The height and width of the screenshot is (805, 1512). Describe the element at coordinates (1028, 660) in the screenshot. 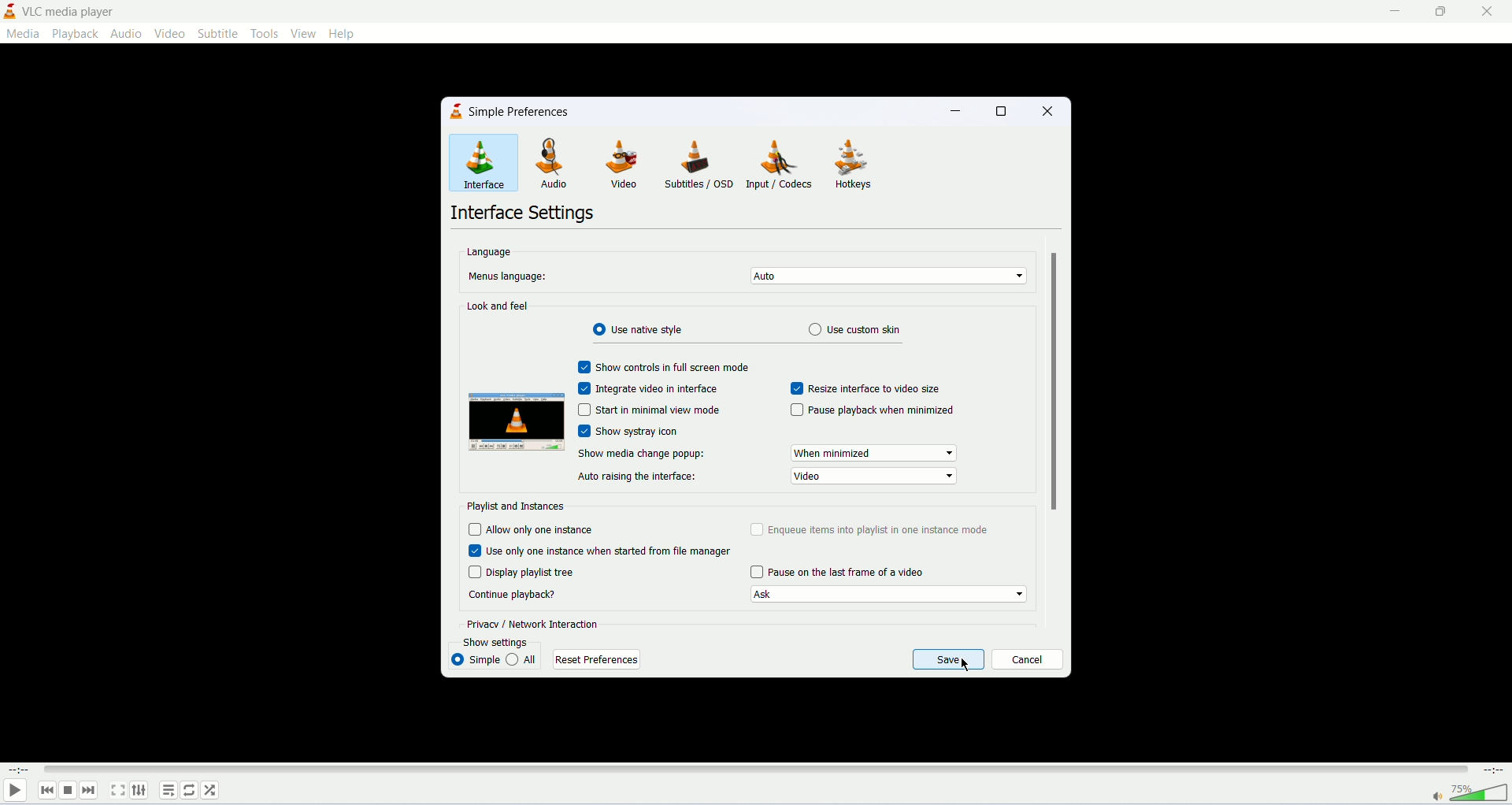

I see `cancel` at that location.